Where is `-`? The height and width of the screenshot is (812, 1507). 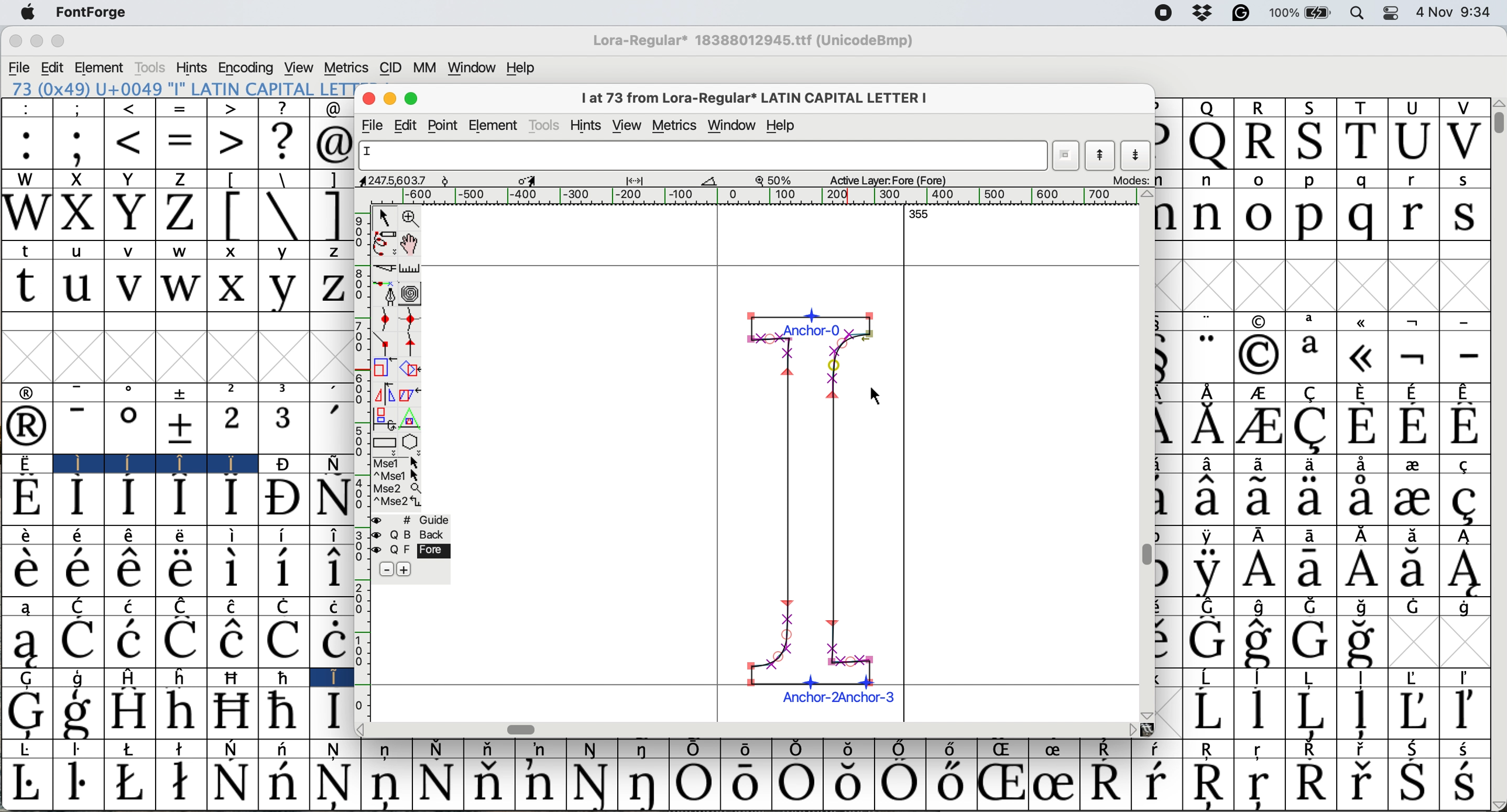 - is located at coordinates (1467, 318).